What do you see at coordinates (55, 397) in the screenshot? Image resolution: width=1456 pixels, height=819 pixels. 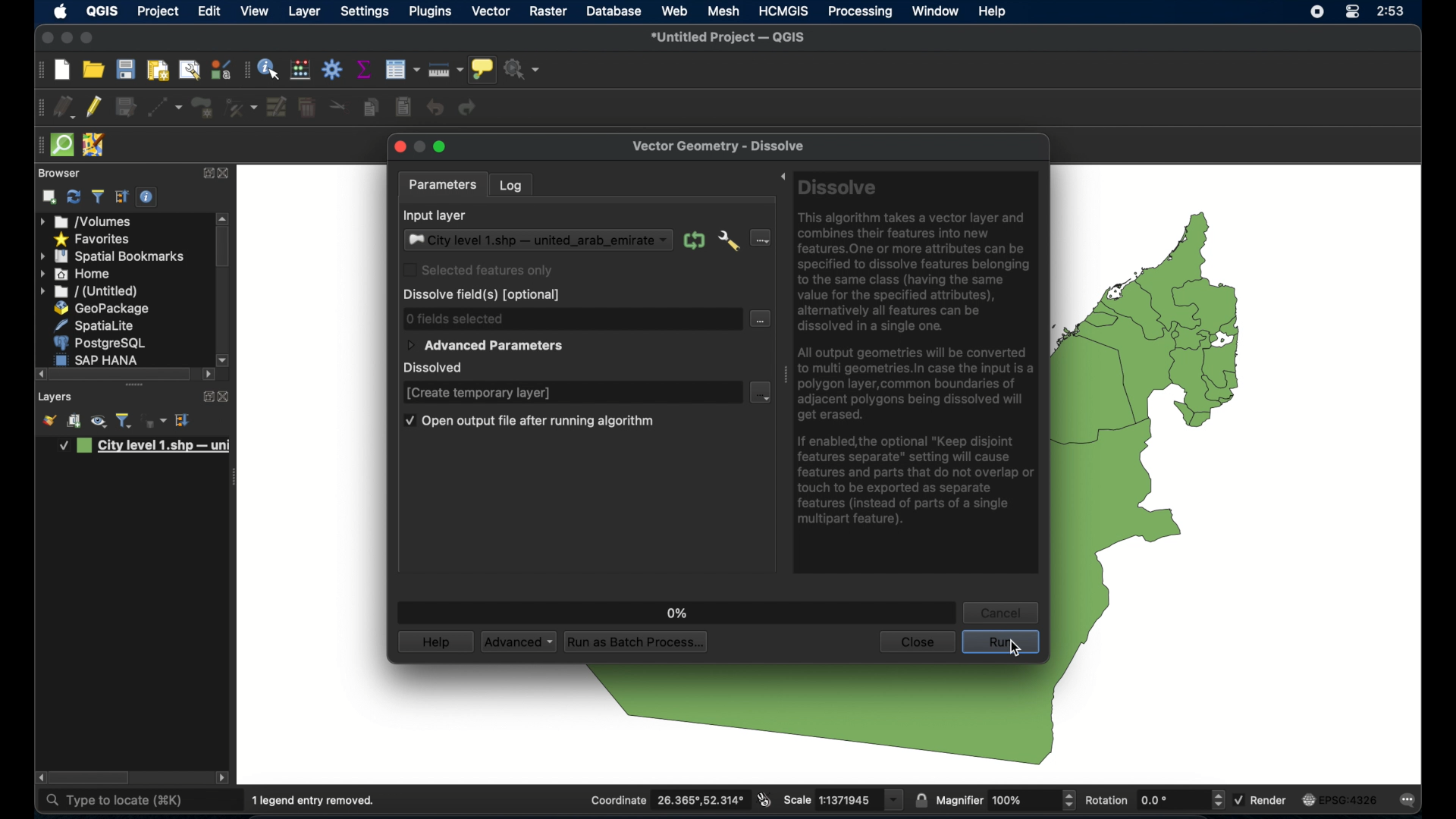 I see `layers` at bounding box center [55, 397].